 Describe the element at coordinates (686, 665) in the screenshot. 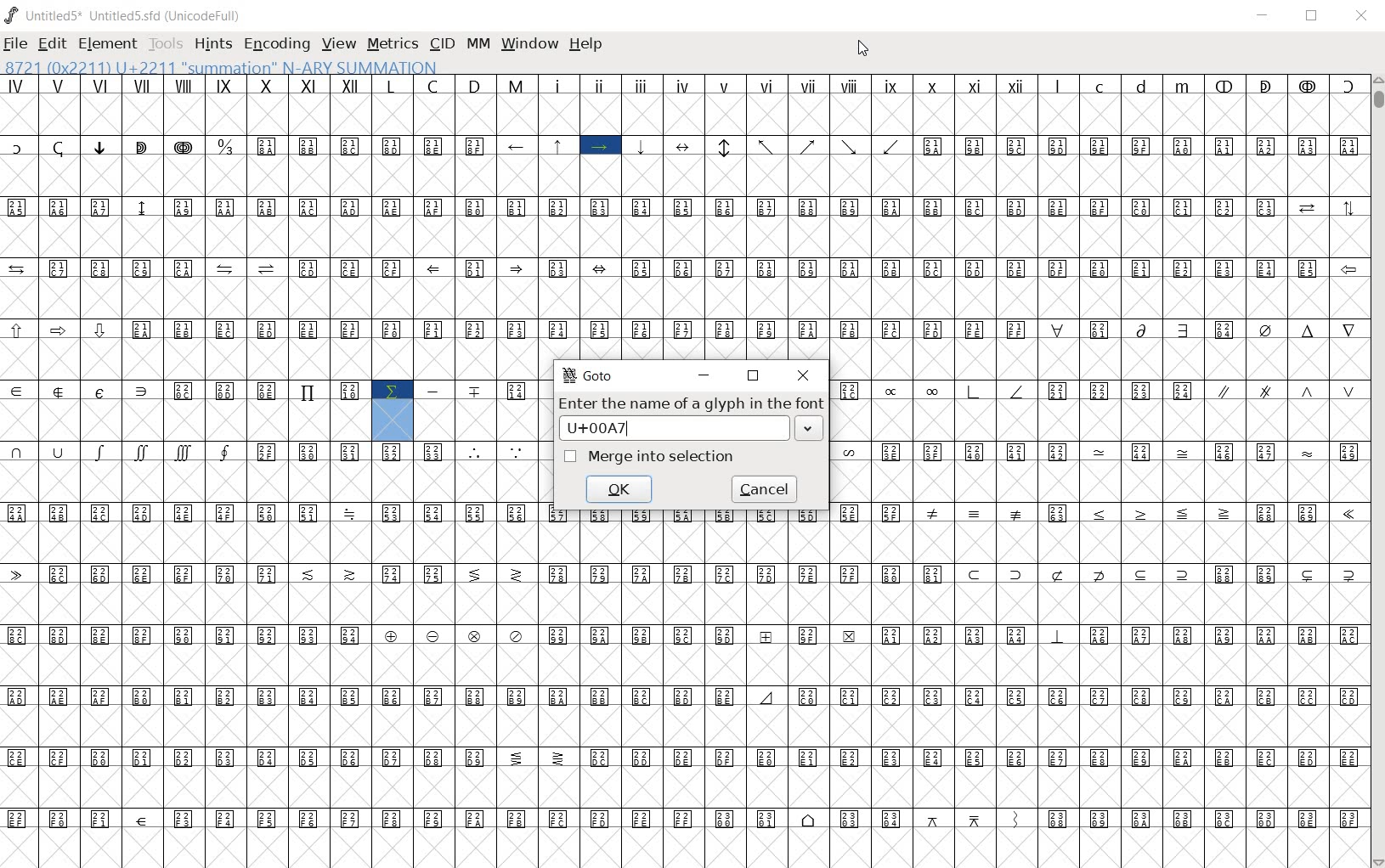

I see `empty cells` at that location.